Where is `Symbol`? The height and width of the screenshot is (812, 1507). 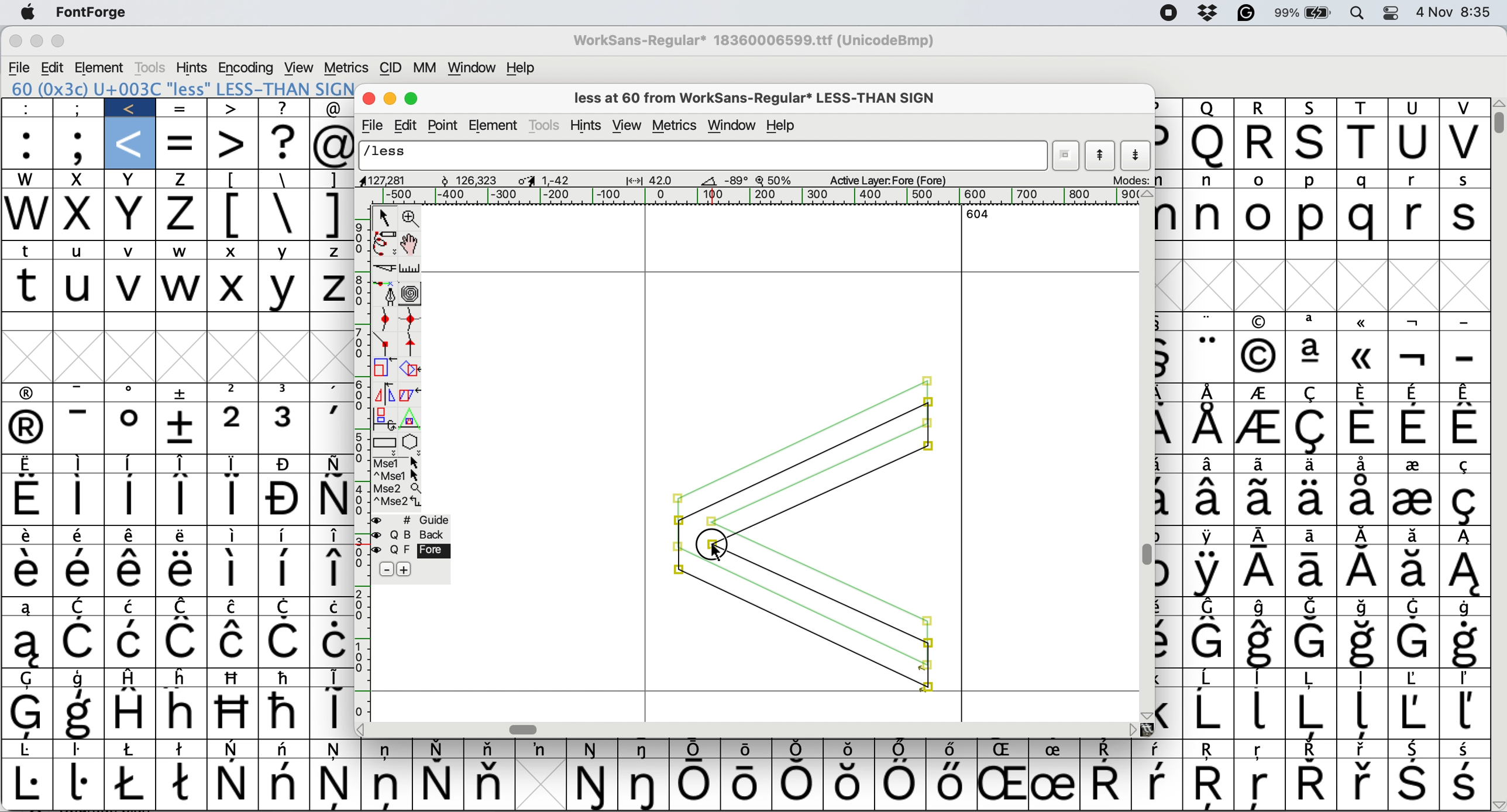 Symbol is located at coordinates (1412, 679).